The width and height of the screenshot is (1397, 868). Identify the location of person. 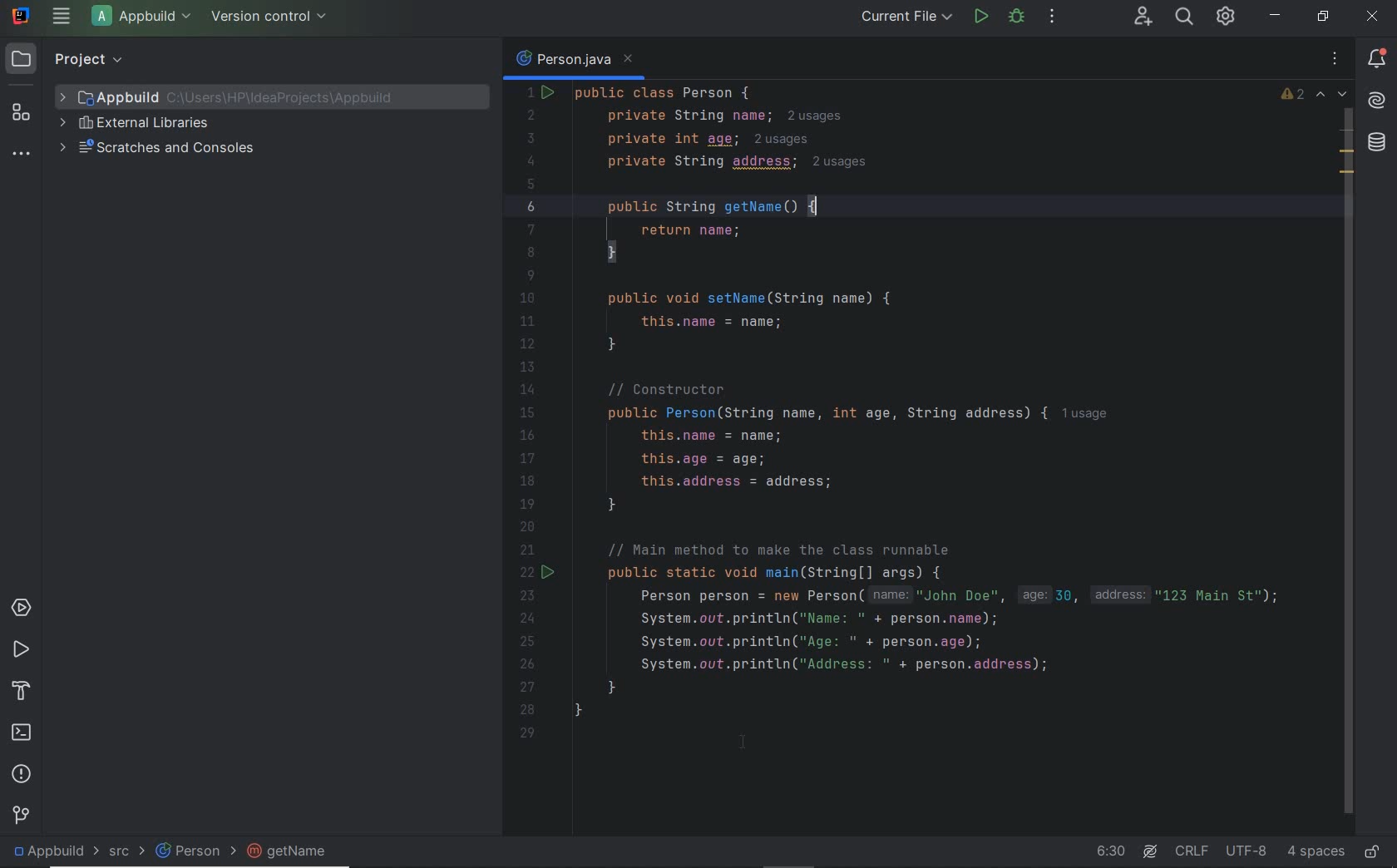
(205, 855).